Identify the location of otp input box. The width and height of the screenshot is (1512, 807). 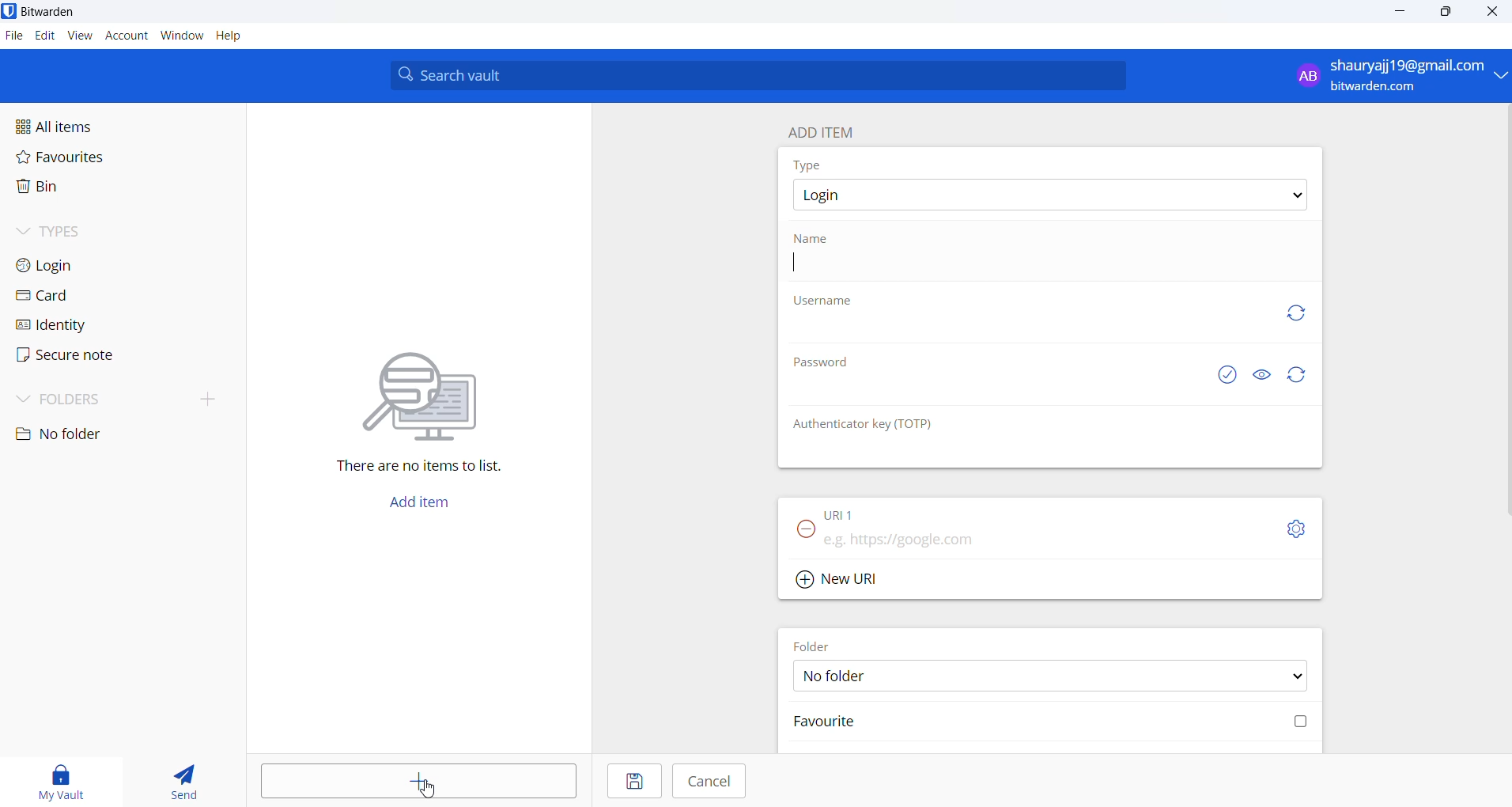
(1045, 453).